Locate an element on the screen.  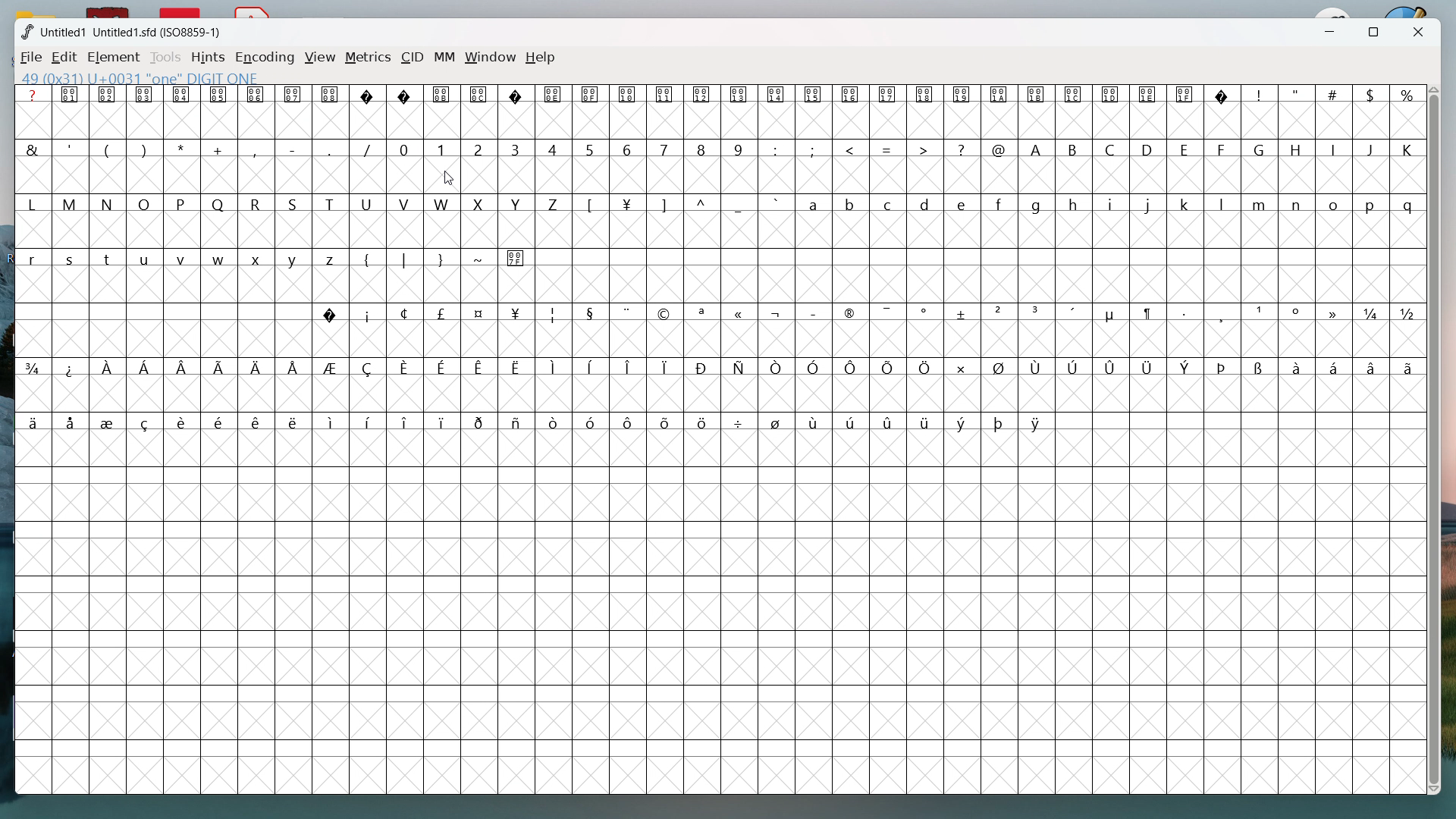
? is located at coordinates (33, 95).